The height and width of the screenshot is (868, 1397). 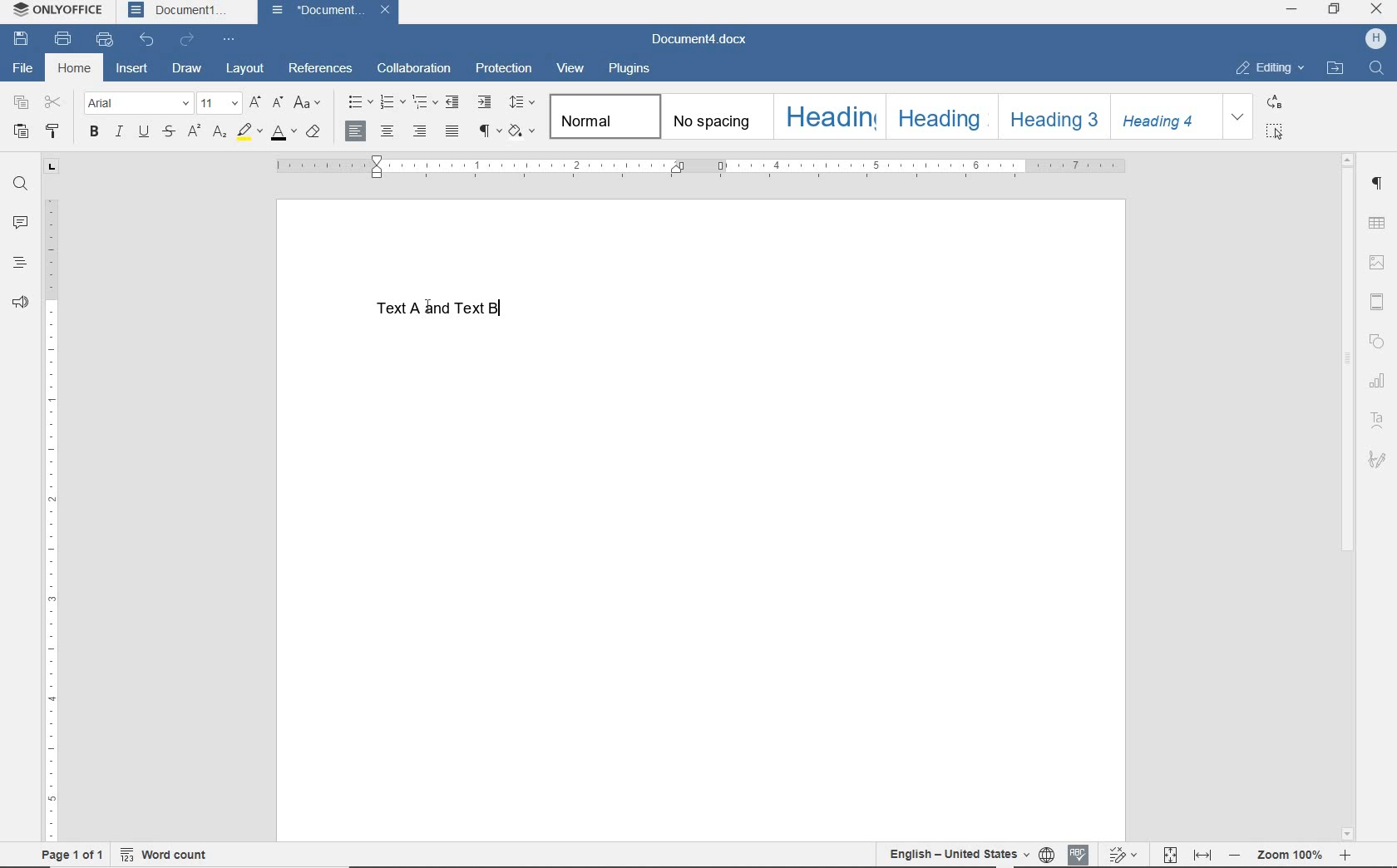 What do you see at coordinates (356, 131) in the screenshot?
I see `ALIGN LEFT` at bounding box center [356, 131].